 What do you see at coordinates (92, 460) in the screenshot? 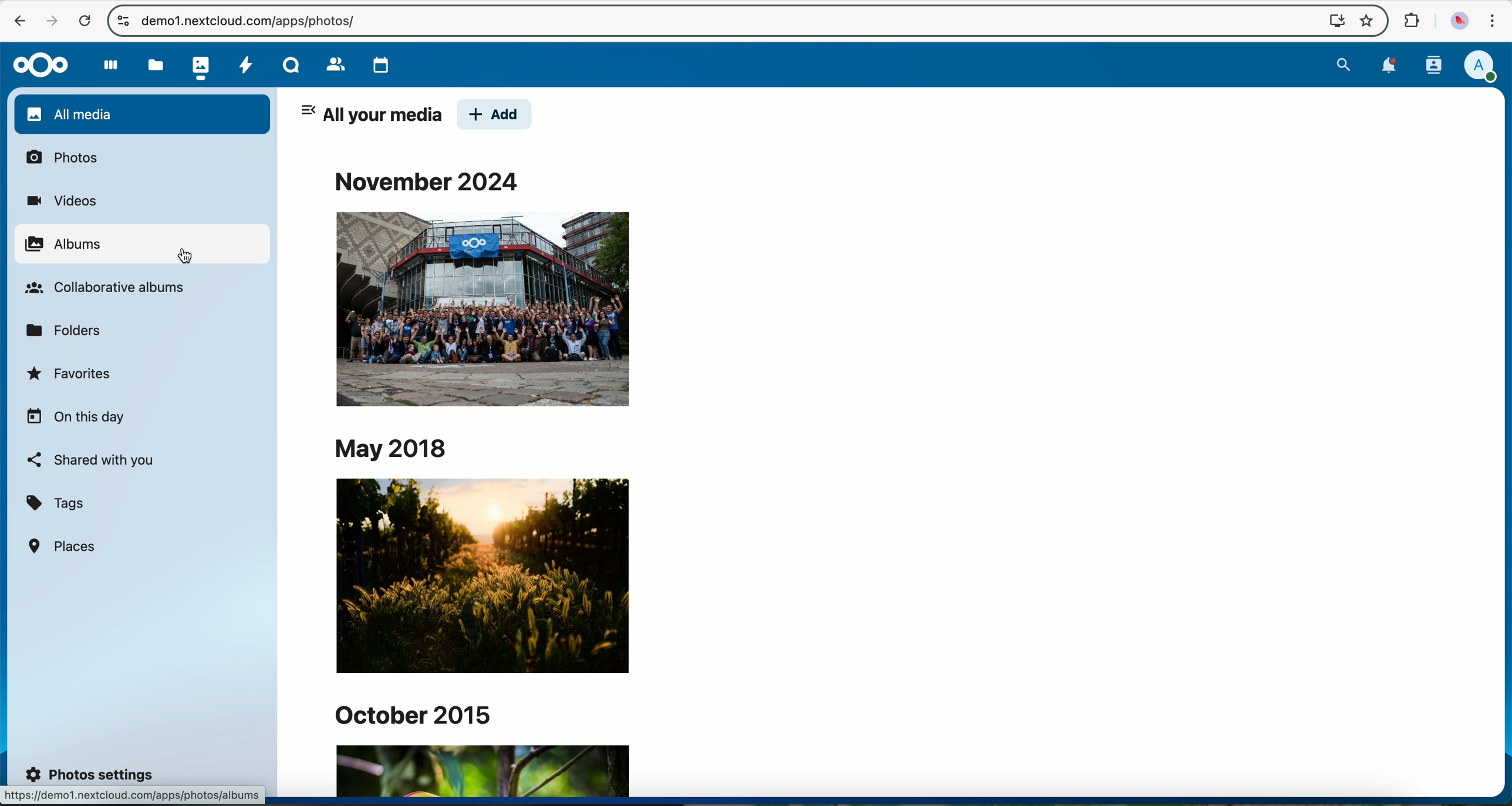
I see `shared with you` at bounding box center [92, 460].